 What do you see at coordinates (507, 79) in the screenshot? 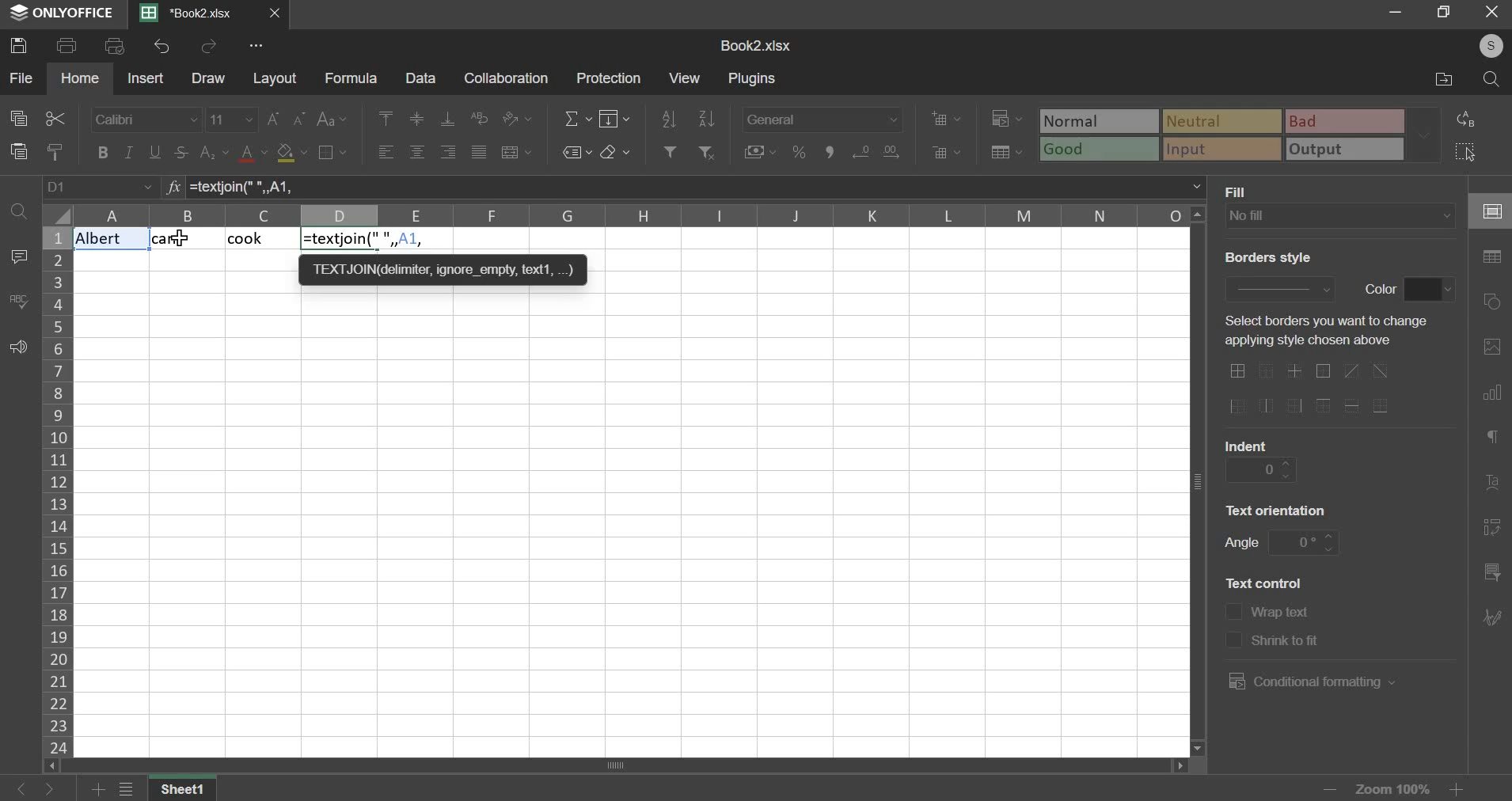
I see `collaboration` at bounding box center [507, 79].